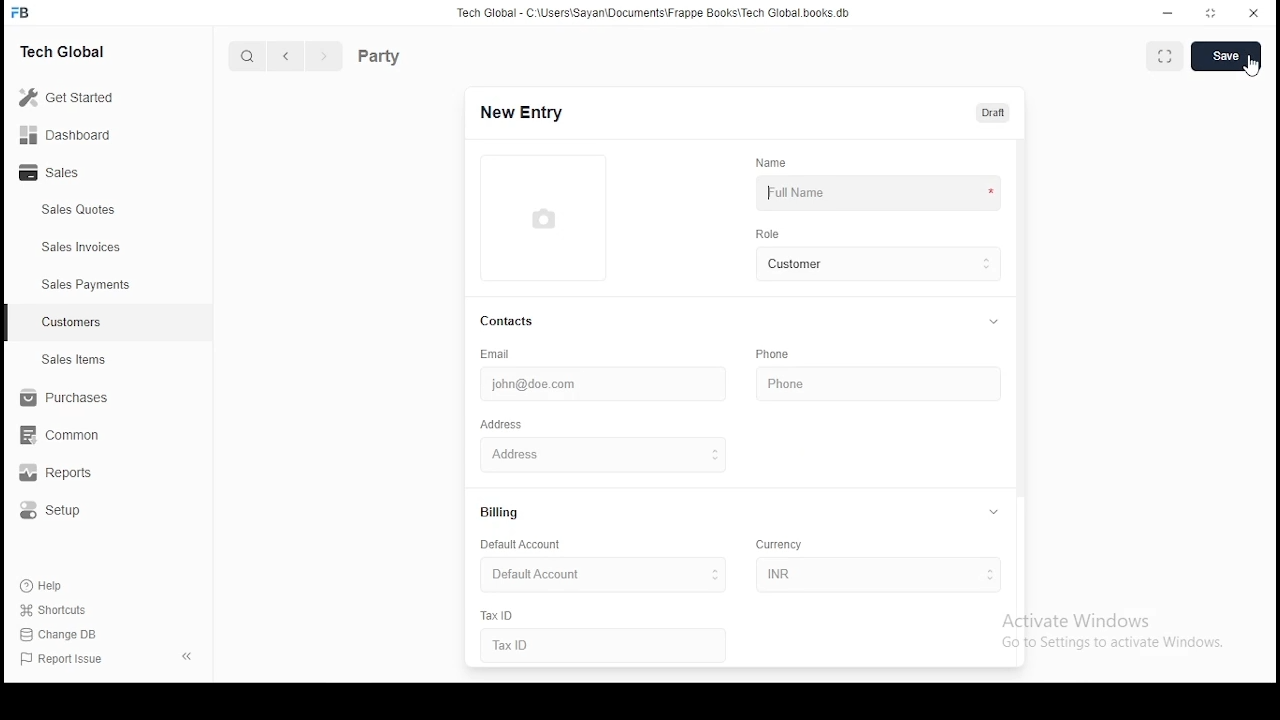  What do you see at coordinates (67, 50) in the screenshot?
I see `tech global` at bounding box center [67, 50].